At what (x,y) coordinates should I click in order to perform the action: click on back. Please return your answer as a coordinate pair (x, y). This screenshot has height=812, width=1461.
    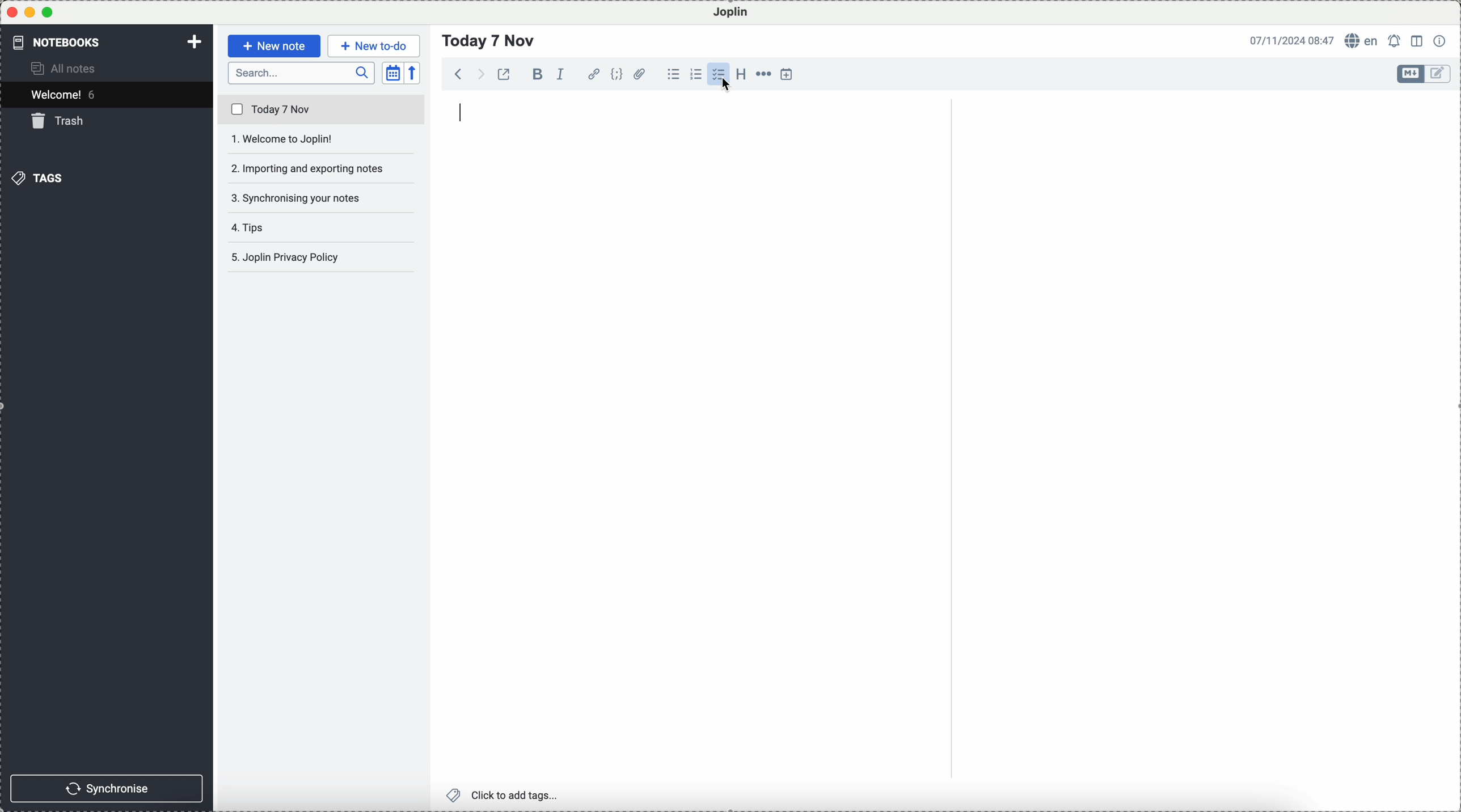
    Looking at the image, I should click on (459, 73).